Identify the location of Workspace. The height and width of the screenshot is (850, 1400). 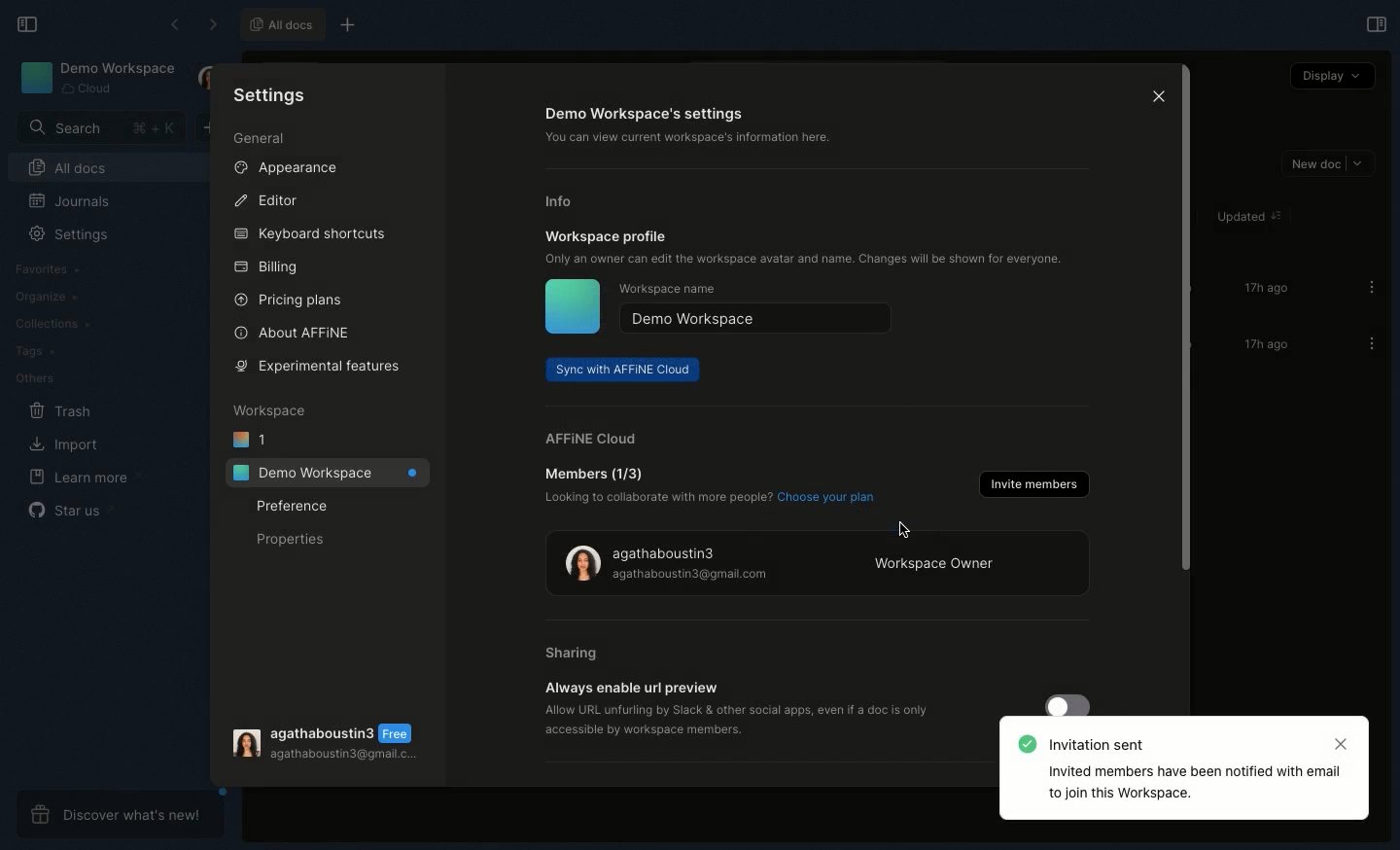
(268, 411).